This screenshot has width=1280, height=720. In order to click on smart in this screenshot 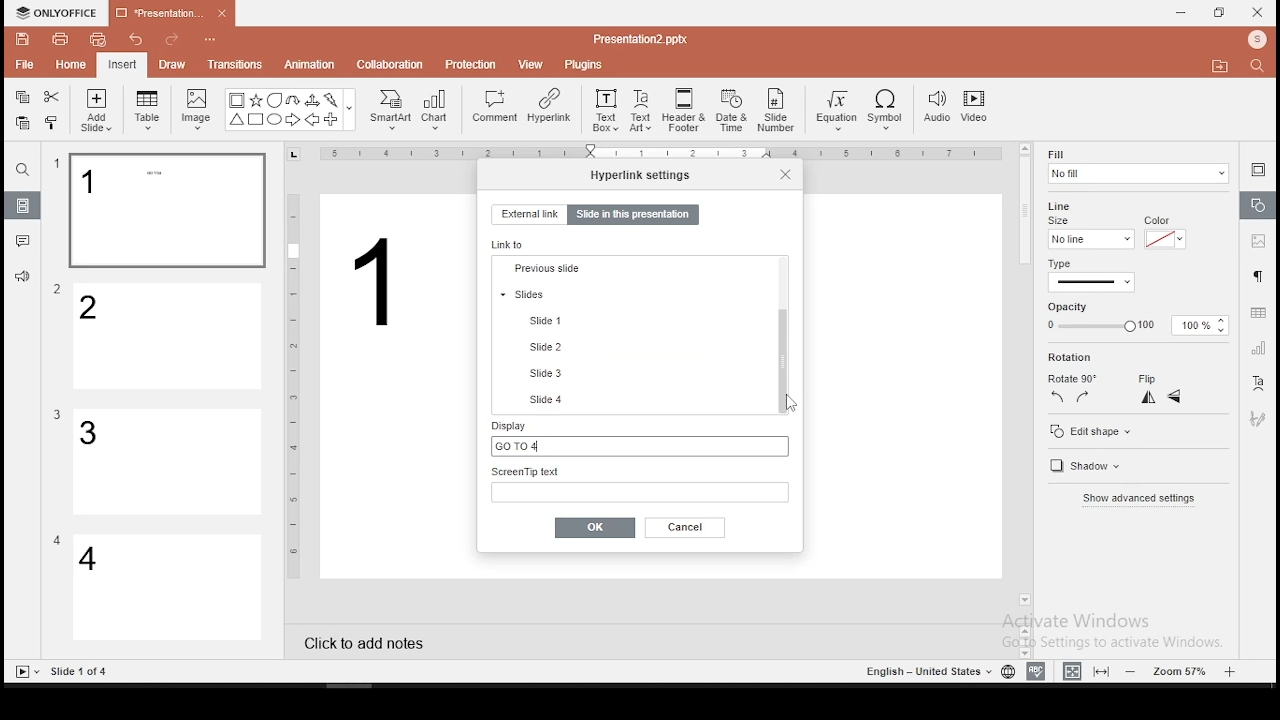, I will do `click(388, 110)`.